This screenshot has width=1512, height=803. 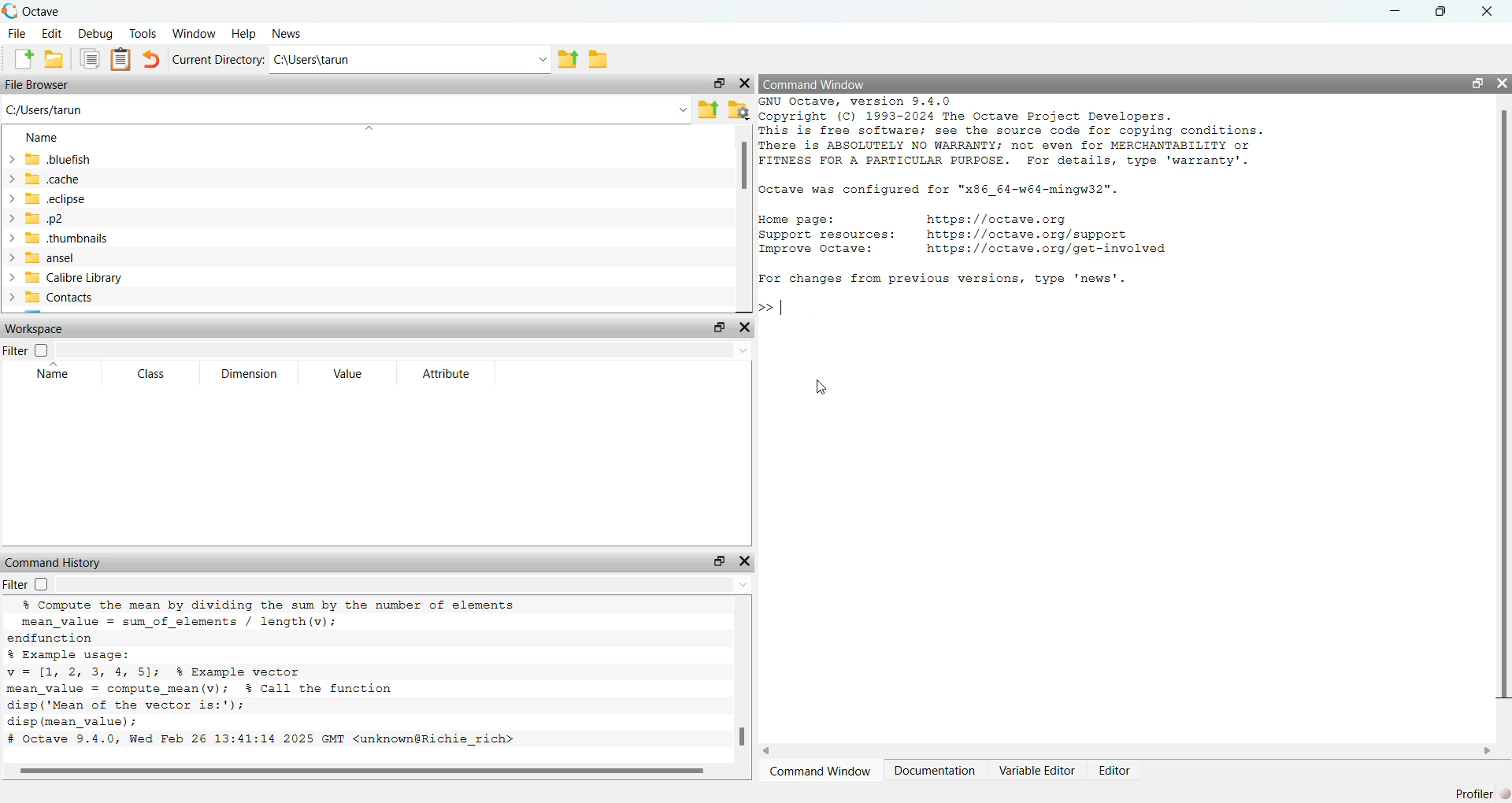 What do you see at coordinates (45, 12) in the screenshot?
I see `octave` at bounding box center [45, 12].